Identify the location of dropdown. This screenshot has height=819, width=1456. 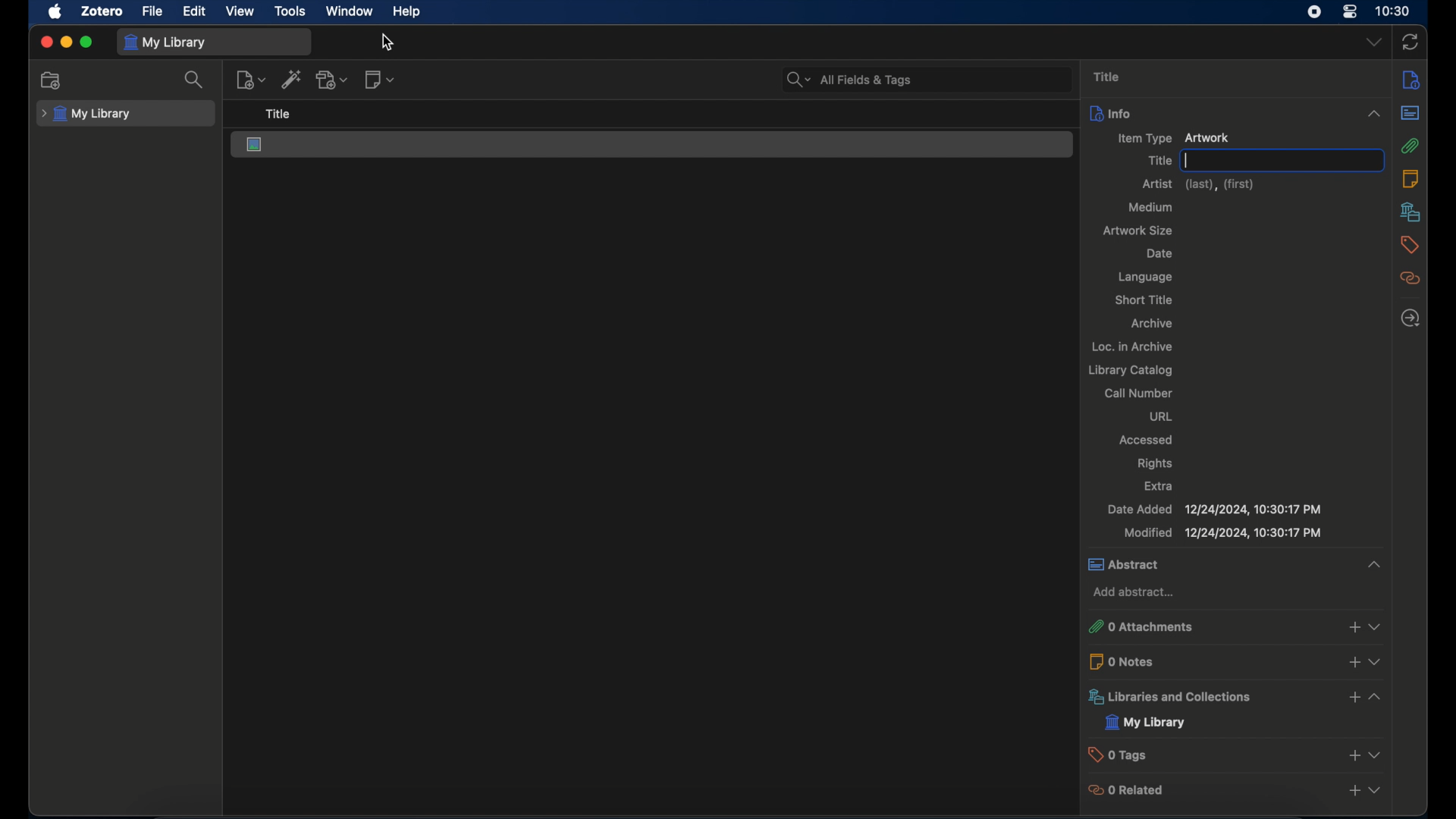
(1374, 42).